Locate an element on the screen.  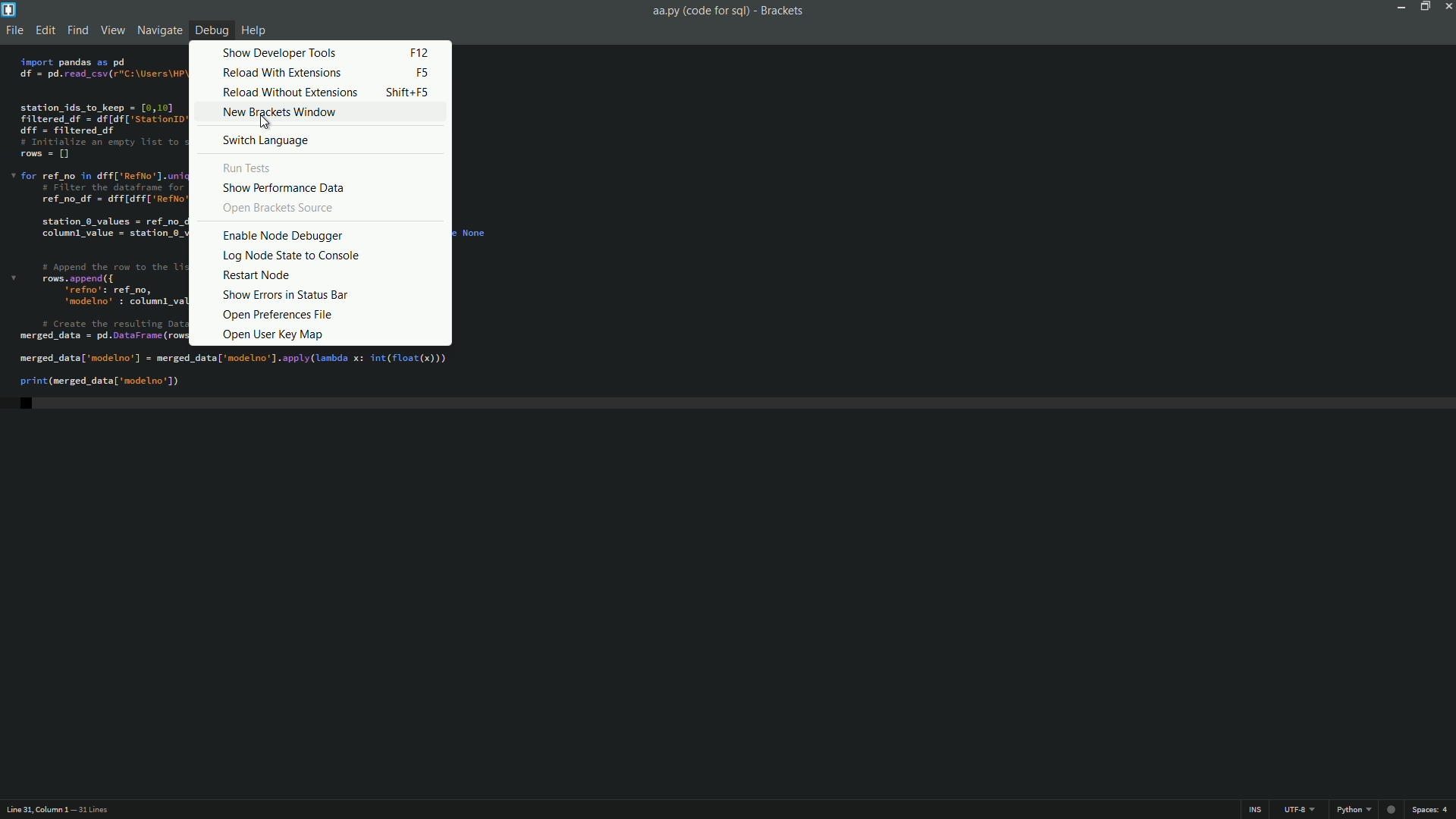
Reload with extensions is located at coordinates (281, 73).